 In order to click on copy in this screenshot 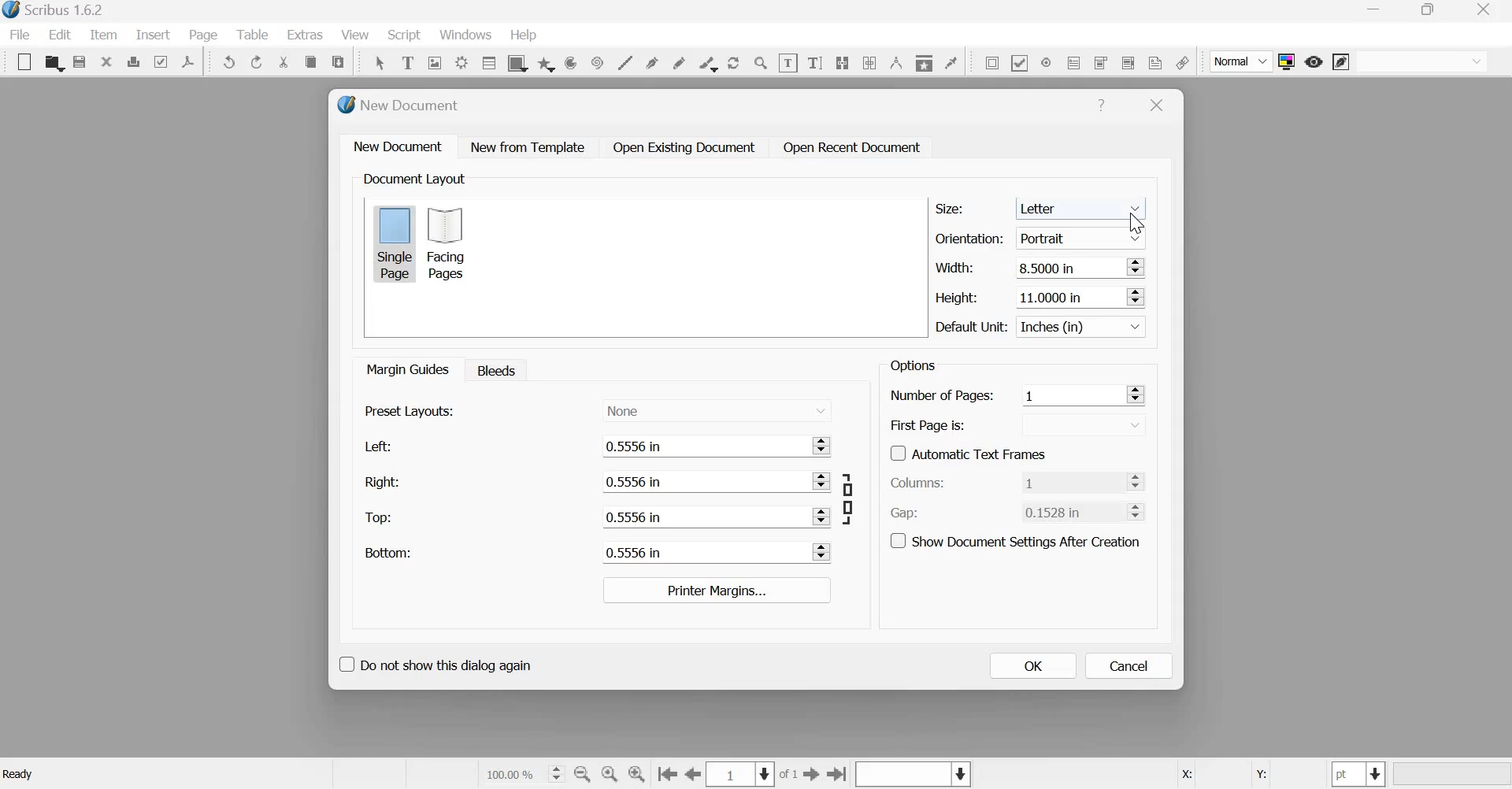, I will do `click(310, 62)`.